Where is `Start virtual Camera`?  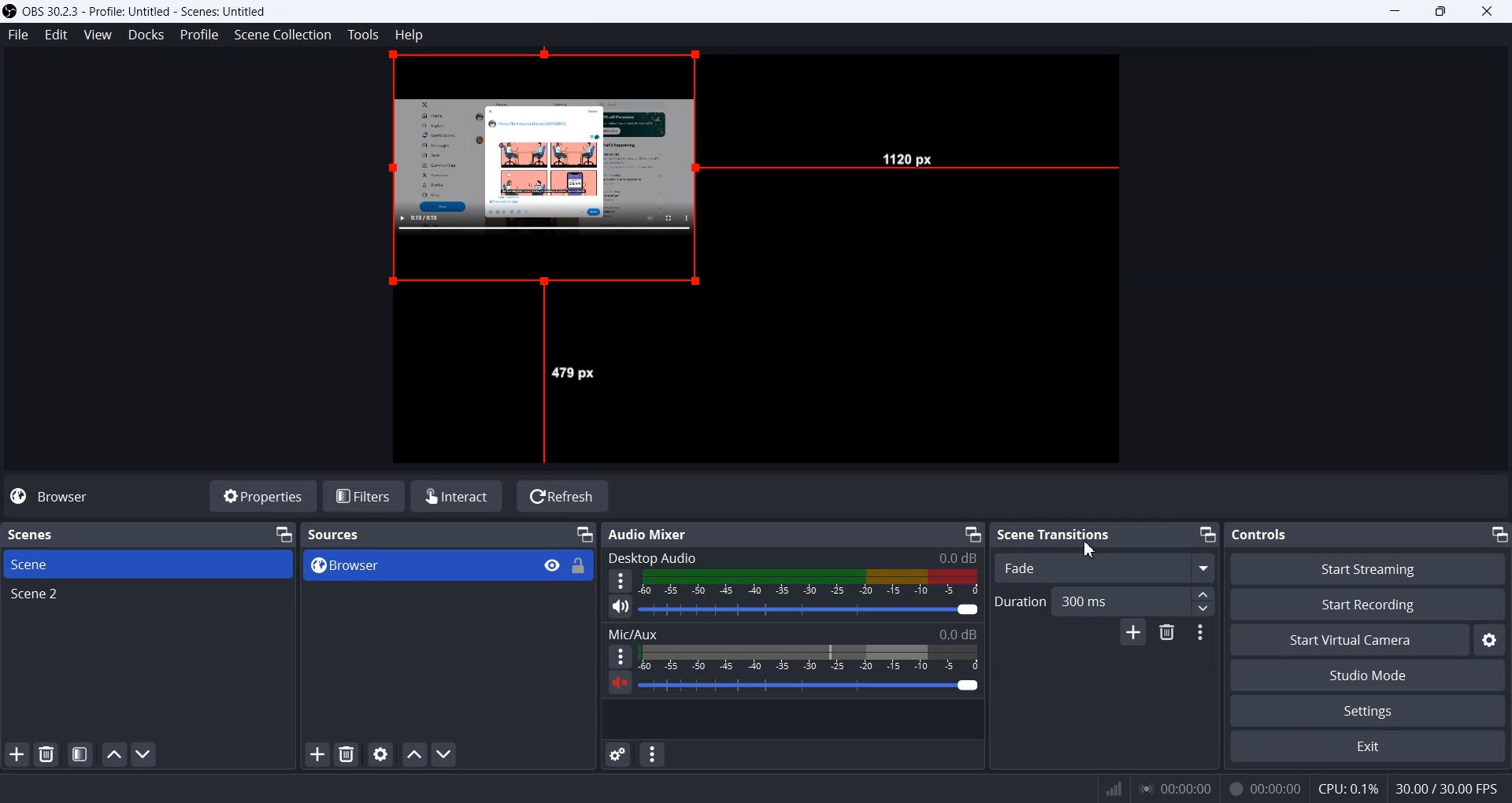 Start virtual Camera is located at coordinates (1349, 639).